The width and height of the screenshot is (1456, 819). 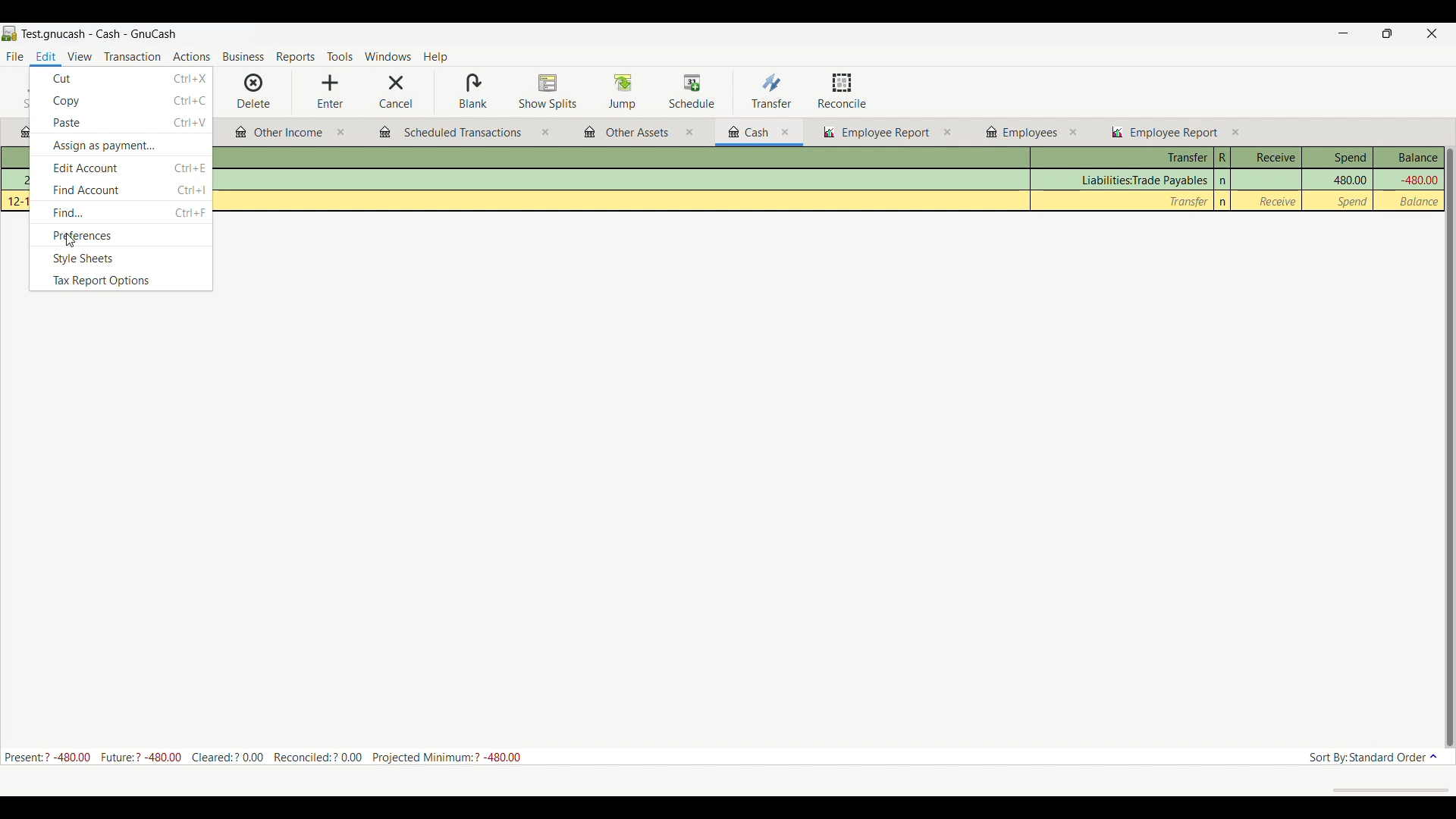 I want to click on Jump, so click(x=624, y=92).